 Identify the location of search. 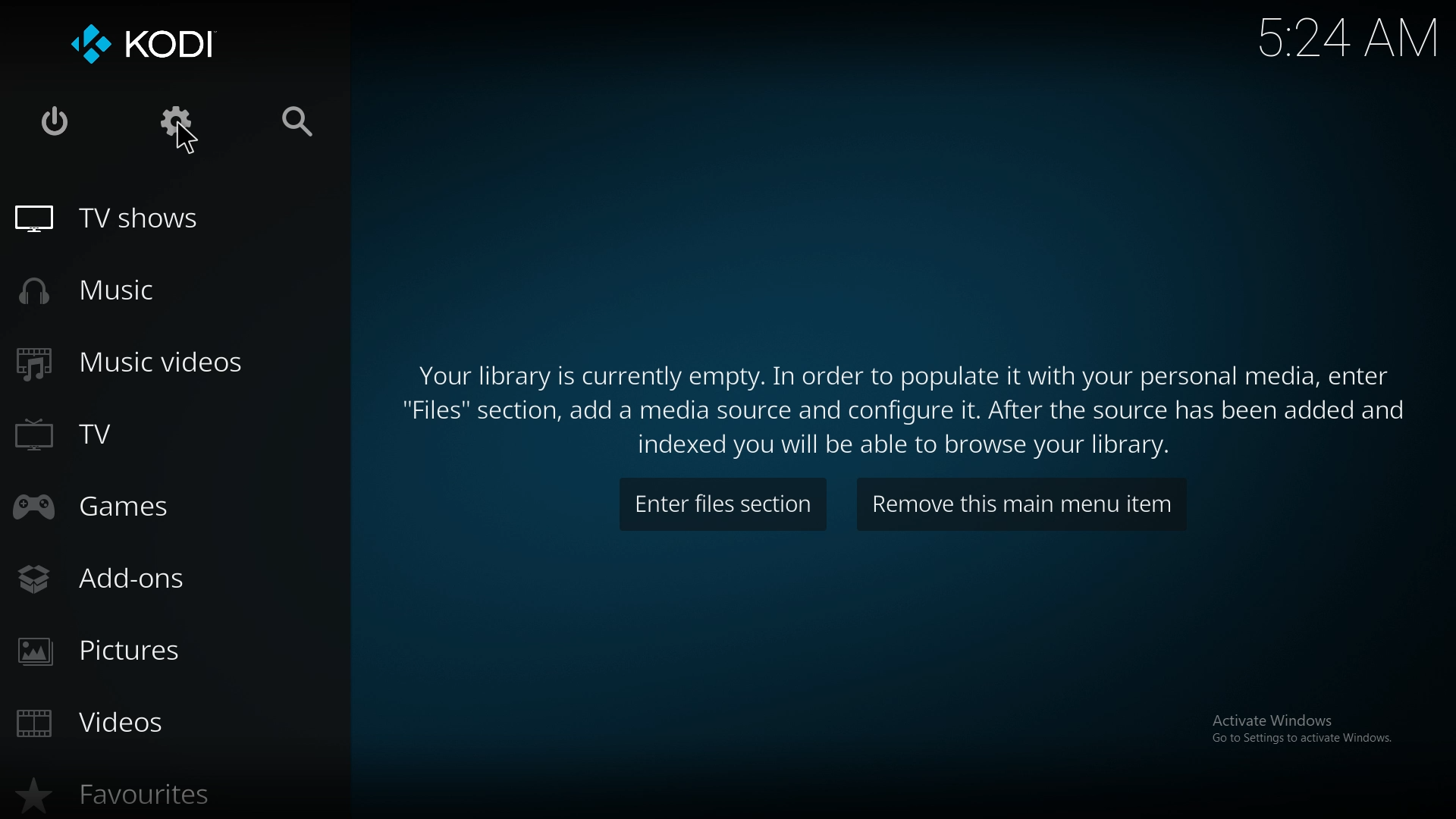
(300, 124).